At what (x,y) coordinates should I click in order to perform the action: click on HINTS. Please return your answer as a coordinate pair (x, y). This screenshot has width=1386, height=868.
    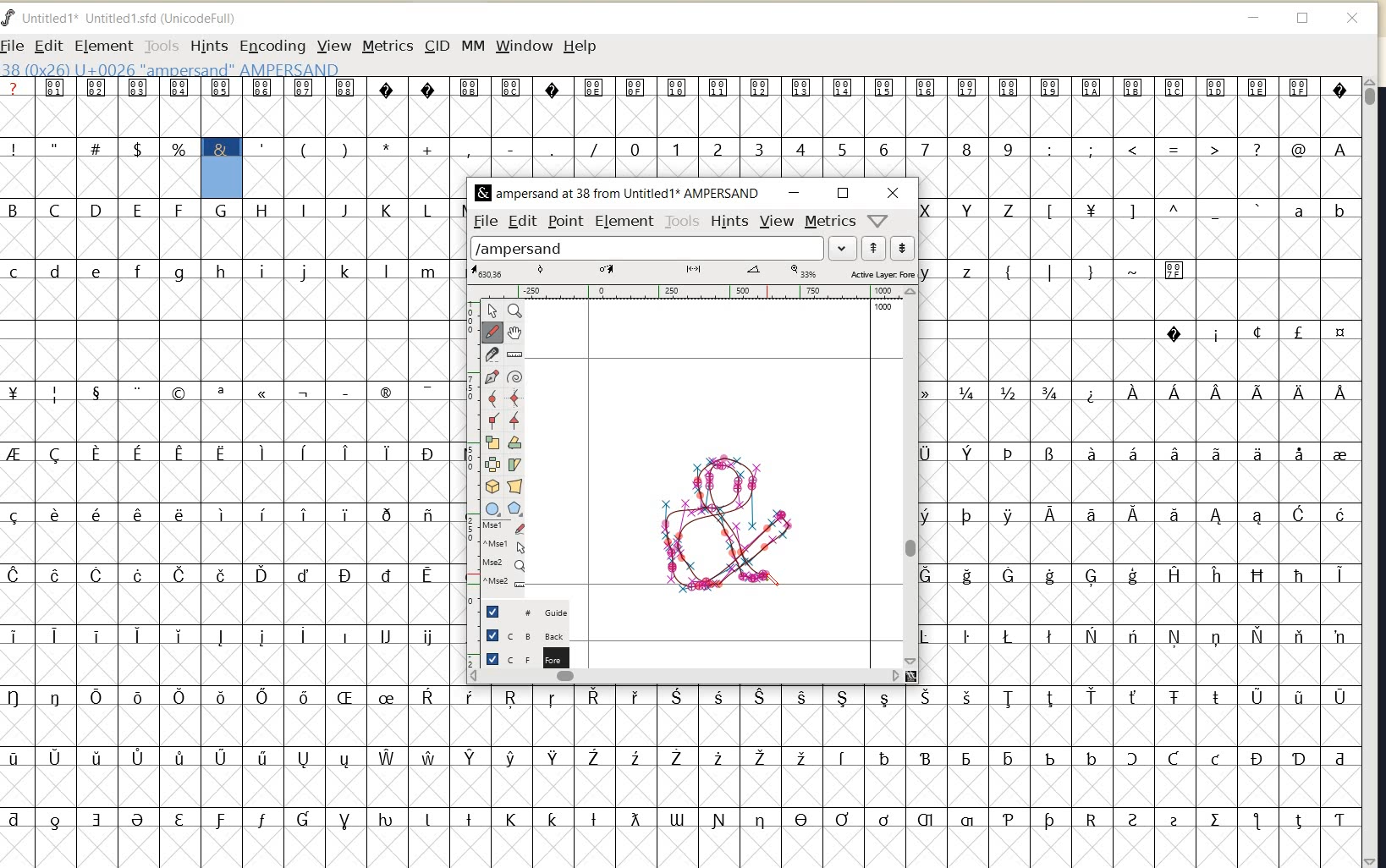
    Looking at the image, I should click on (208, 47).